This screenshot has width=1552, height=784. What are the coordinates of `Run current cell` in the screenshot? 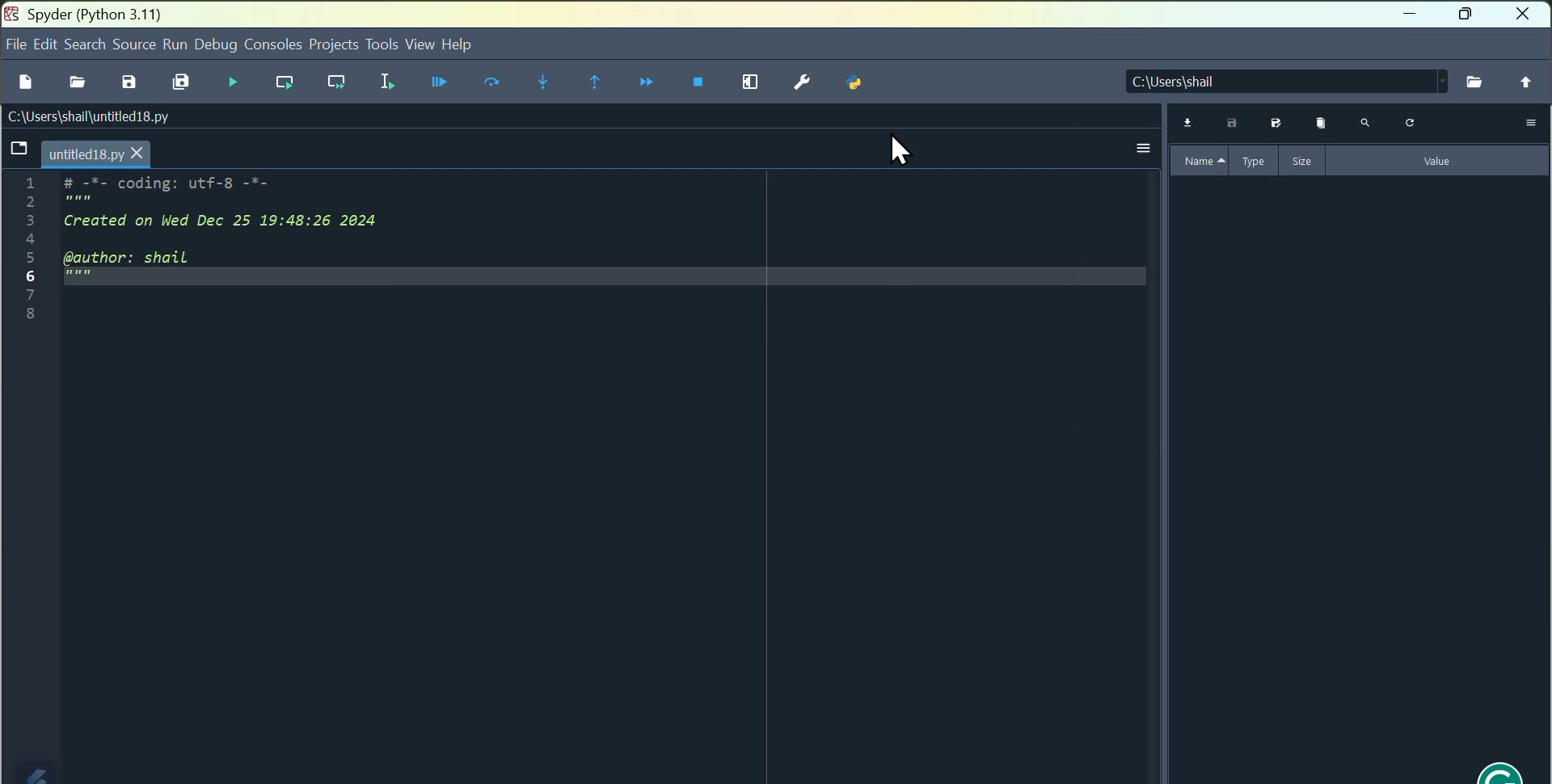 It's located at (284, 82).